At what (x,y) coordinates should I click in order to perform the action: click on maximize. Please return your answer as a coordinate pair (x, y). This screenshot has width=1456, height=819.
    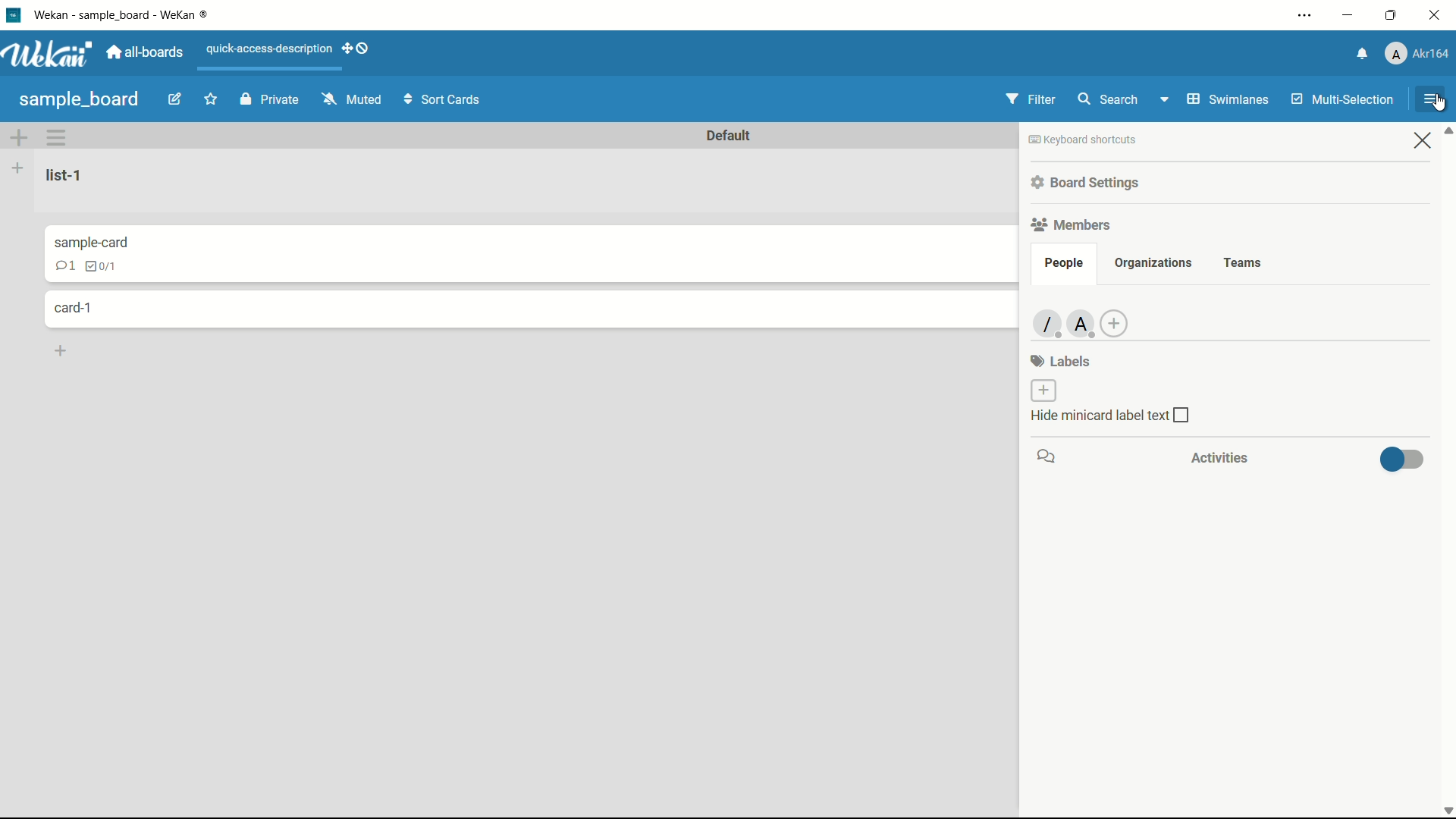
    Looking at the image, I should click on (1394, 16).